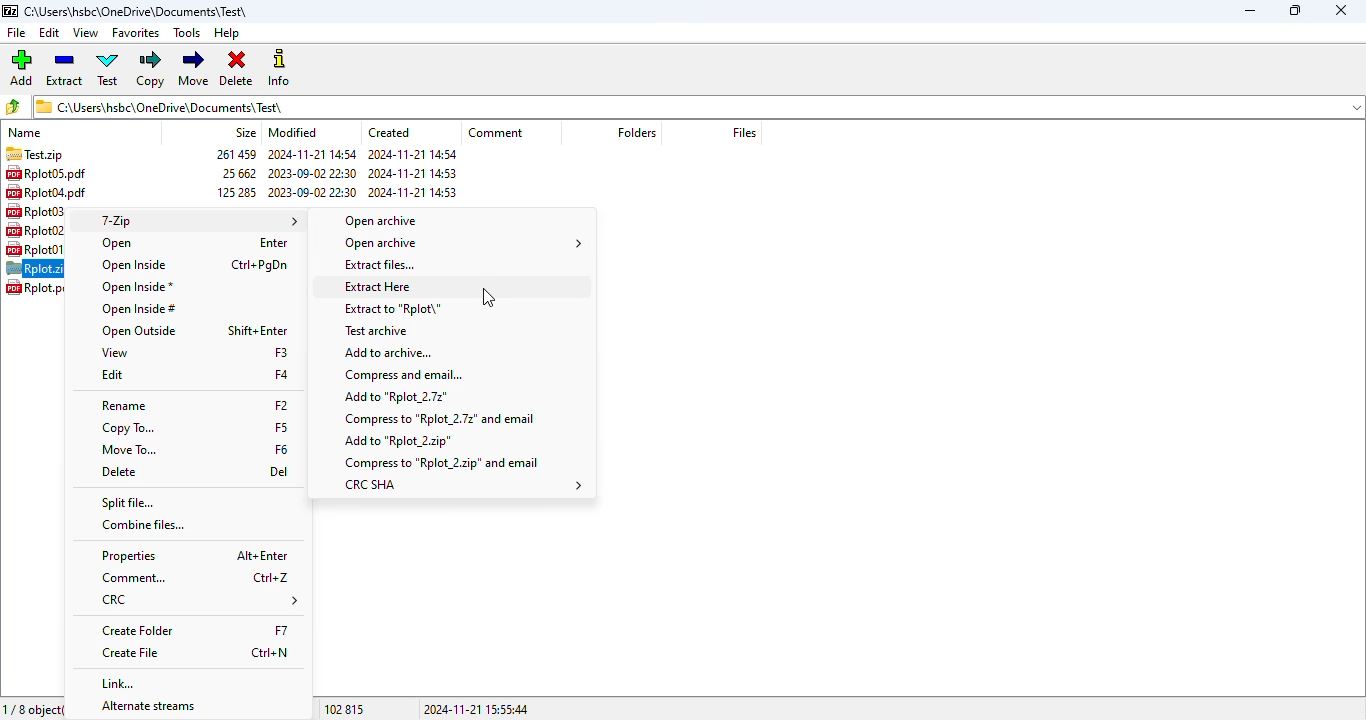 Image resolution: width=1366 pixels, height=720 pixels. Describe the element at coordinates (281, 403) in the screenshot. I see `shortcut for rename` at that location.